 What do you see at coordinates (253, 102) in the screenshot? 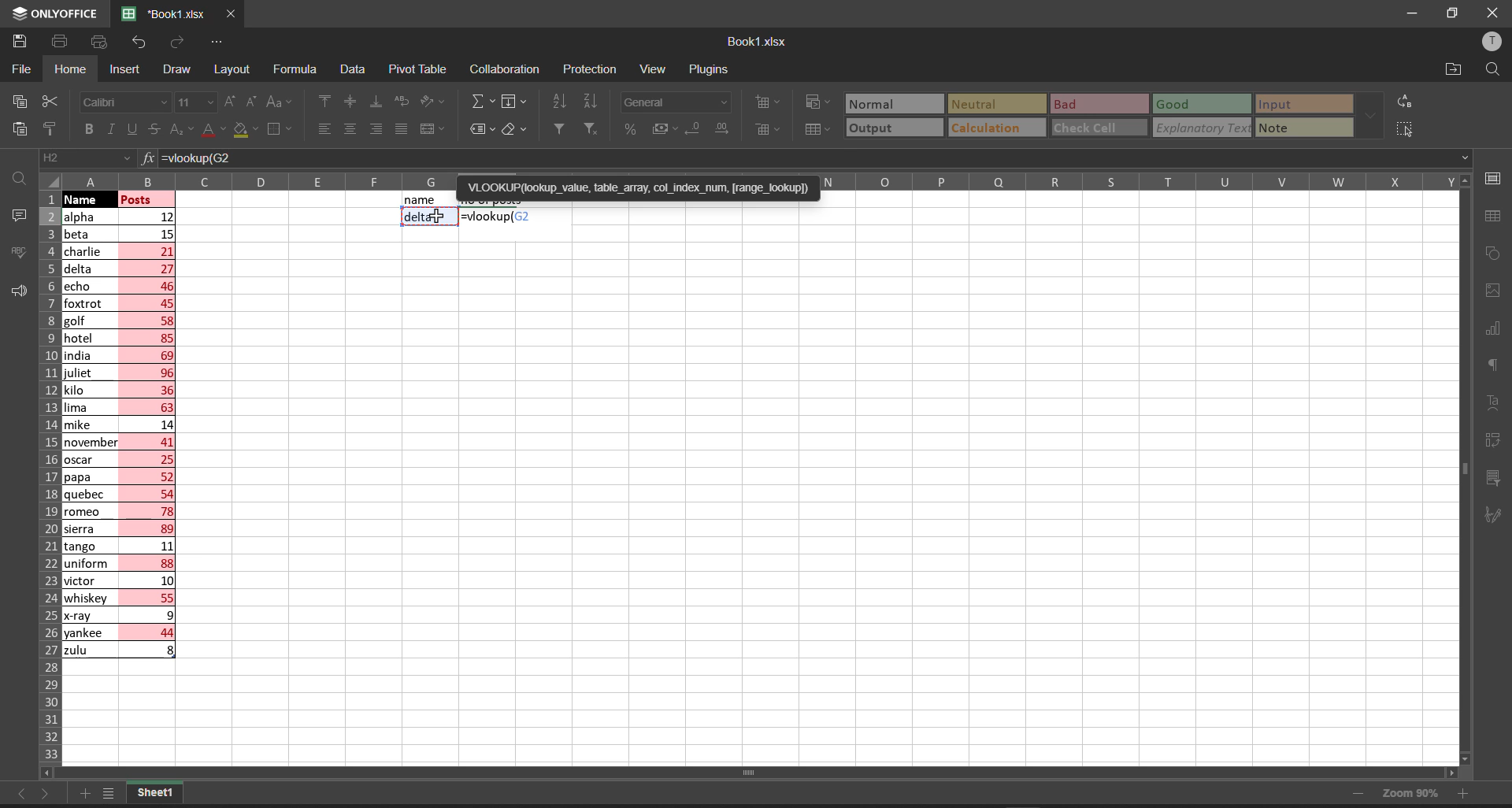
I see `decrement font size` at bounding box center [253, 102].